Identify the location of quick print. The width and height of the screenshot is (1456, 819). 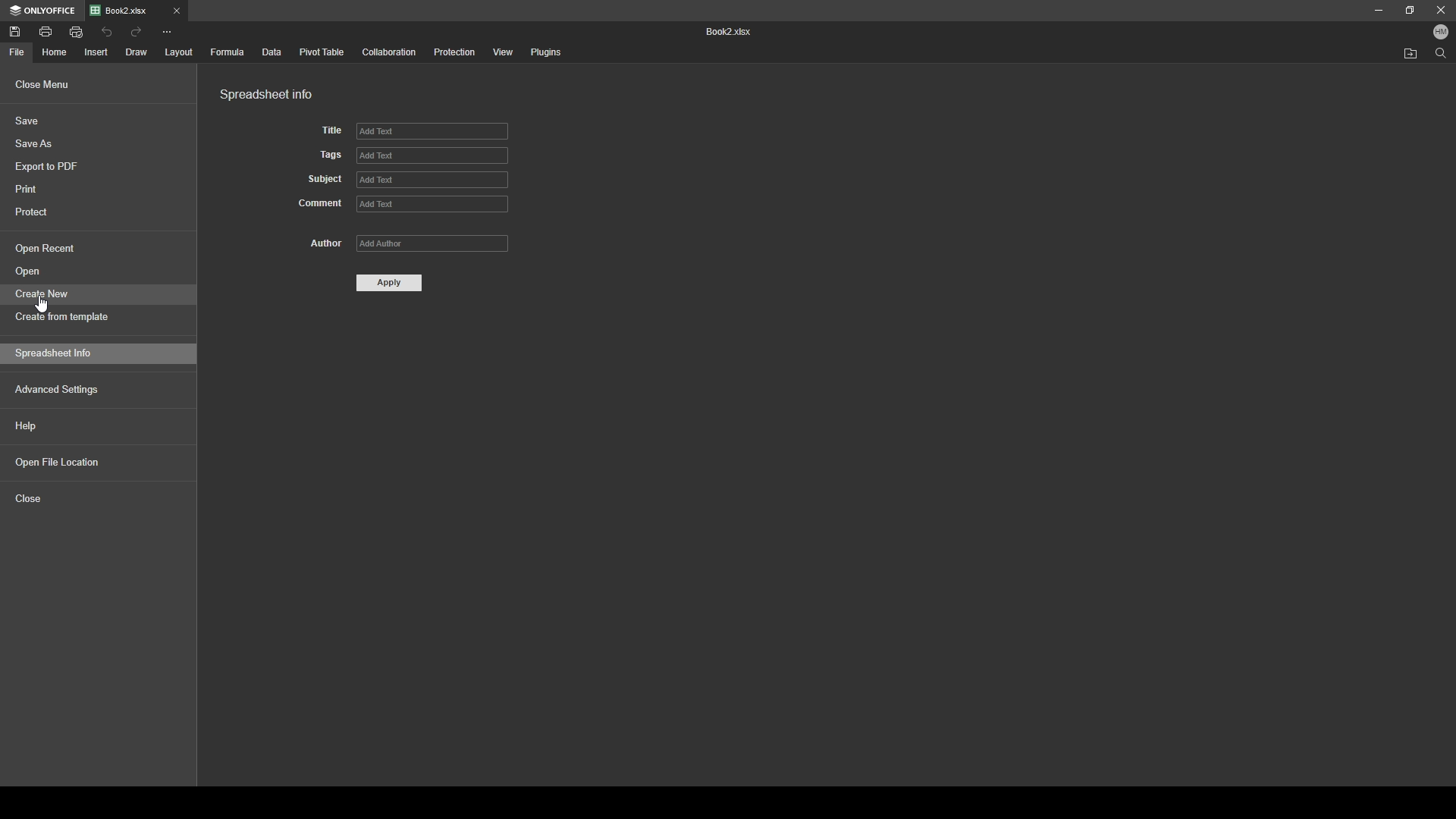
(77, 32).